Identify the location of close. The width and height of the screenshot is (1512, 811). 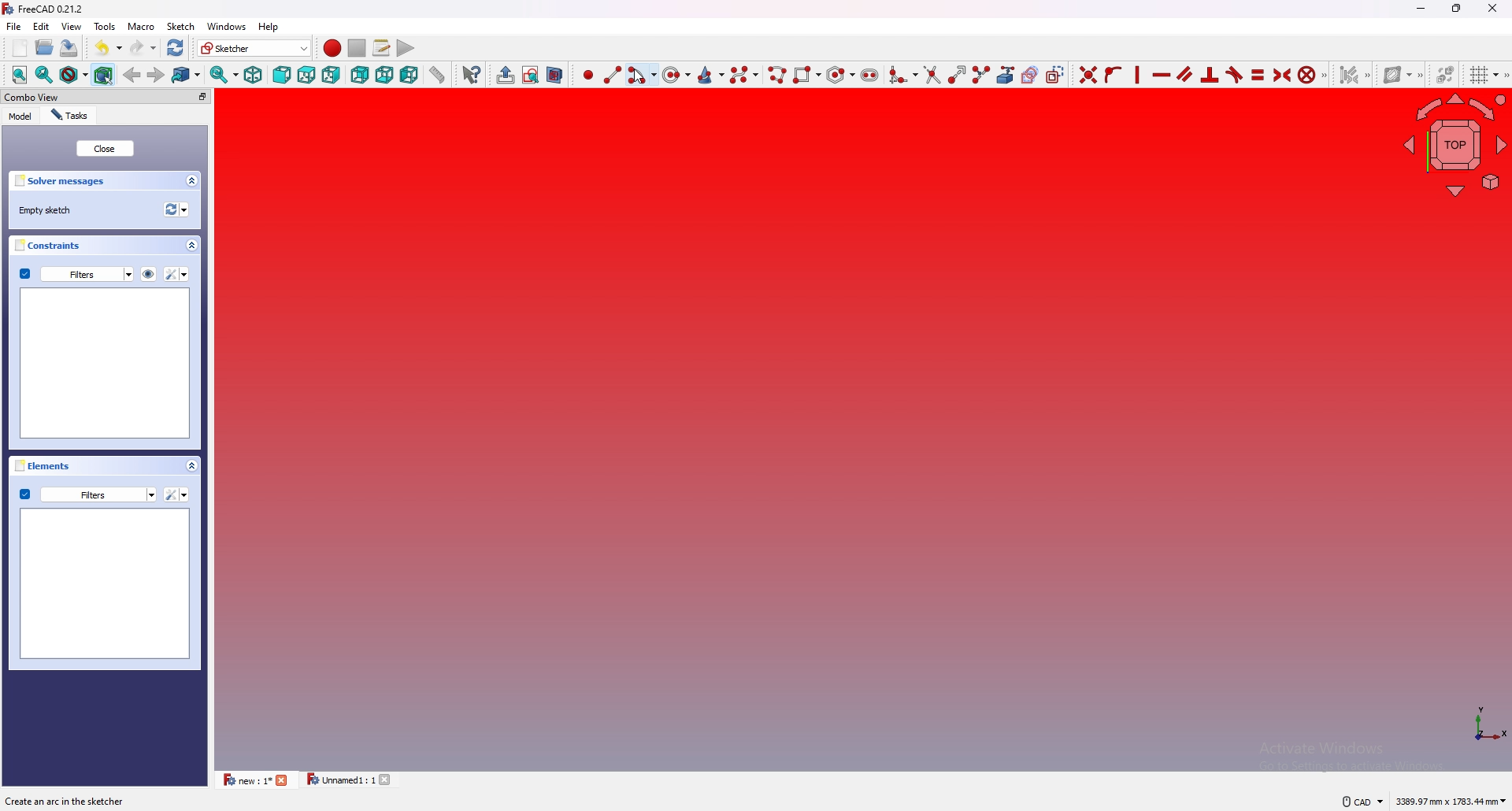
(1493, 8).